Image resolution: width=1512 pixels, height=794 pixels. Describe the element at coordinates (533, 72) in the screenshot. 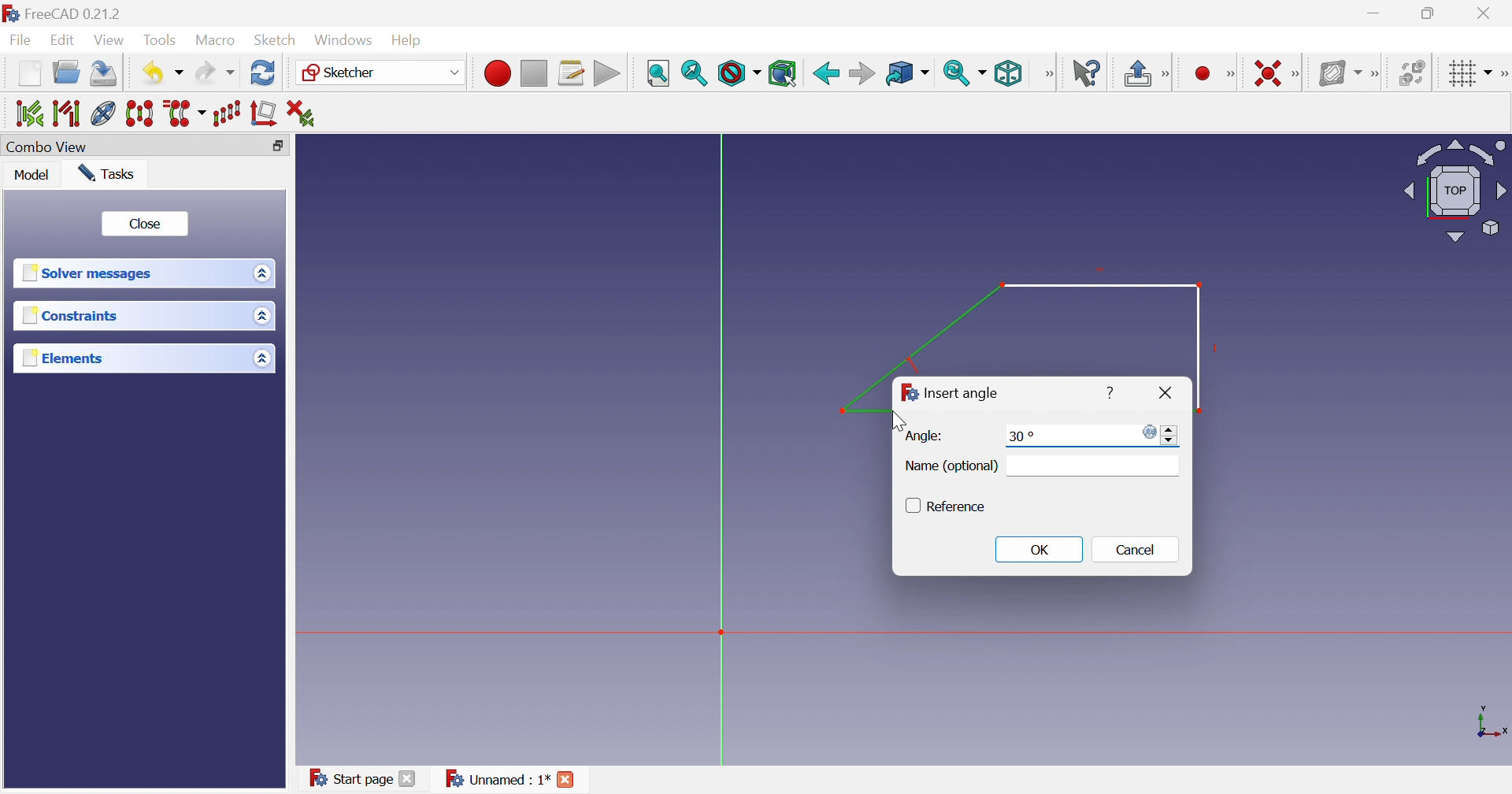

I see `Stop macro recording` at that location.